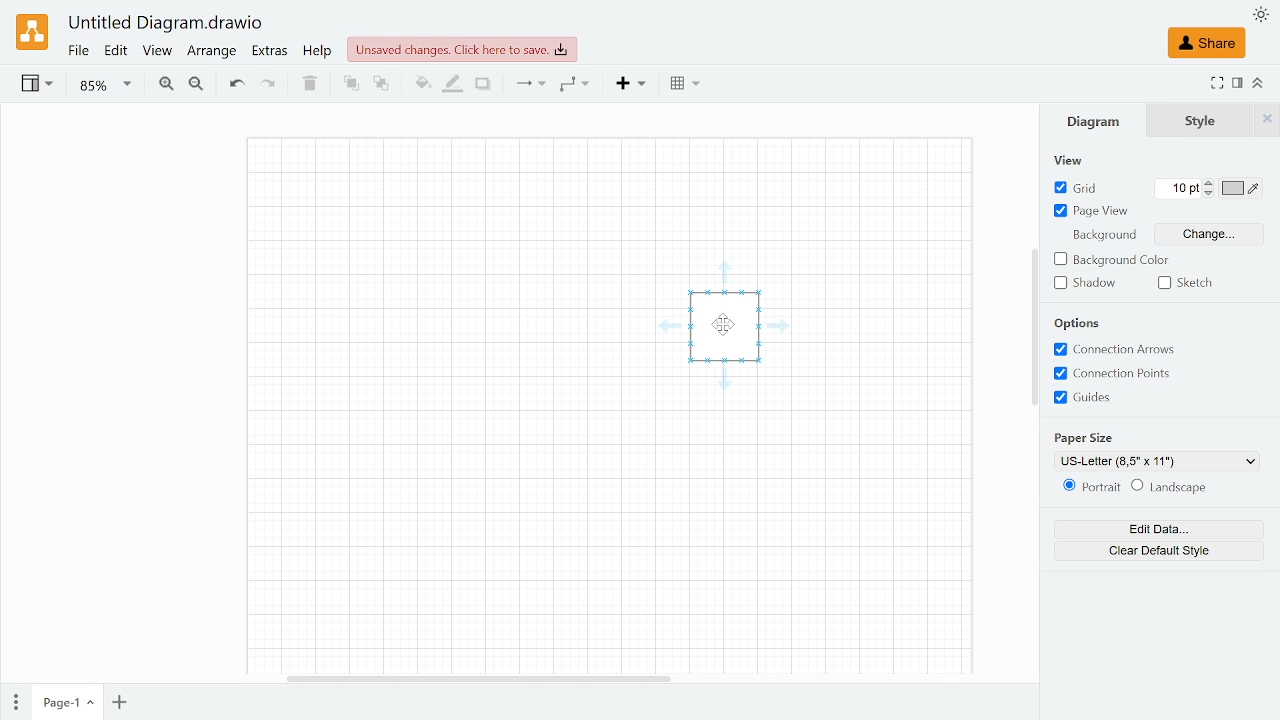 This screenshot has width=1280, height=720. Describe the element at coordinates (1093, 120) in the screenshot. I see `Diagram` at that location.